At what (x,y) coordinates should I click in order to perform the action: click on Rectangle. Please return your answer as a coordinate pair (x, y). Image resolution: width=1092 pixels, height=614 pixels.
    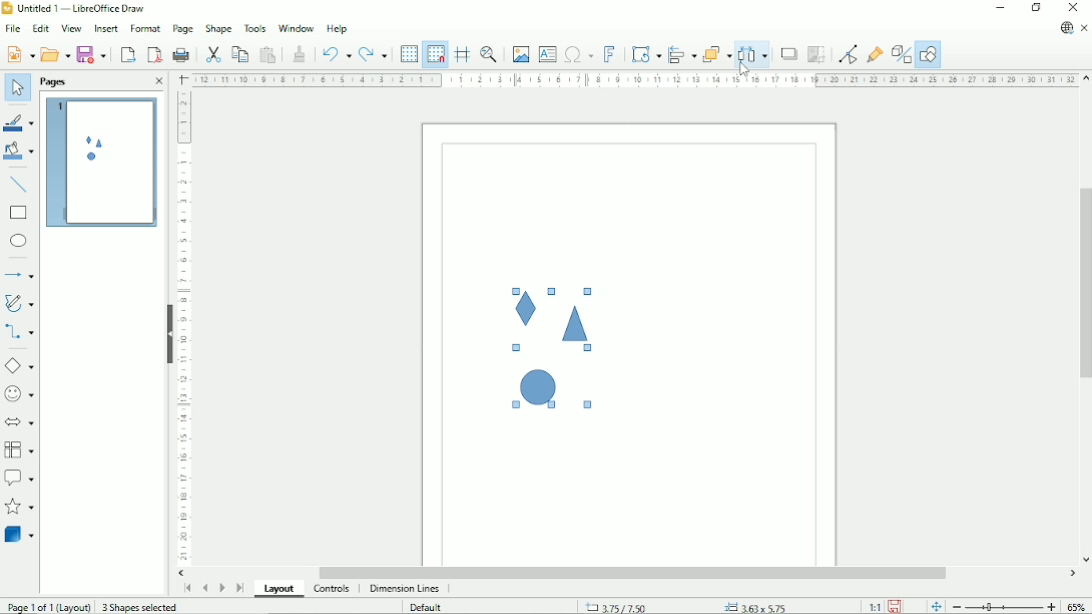
    Looking at the image, I should click on (19, 213).